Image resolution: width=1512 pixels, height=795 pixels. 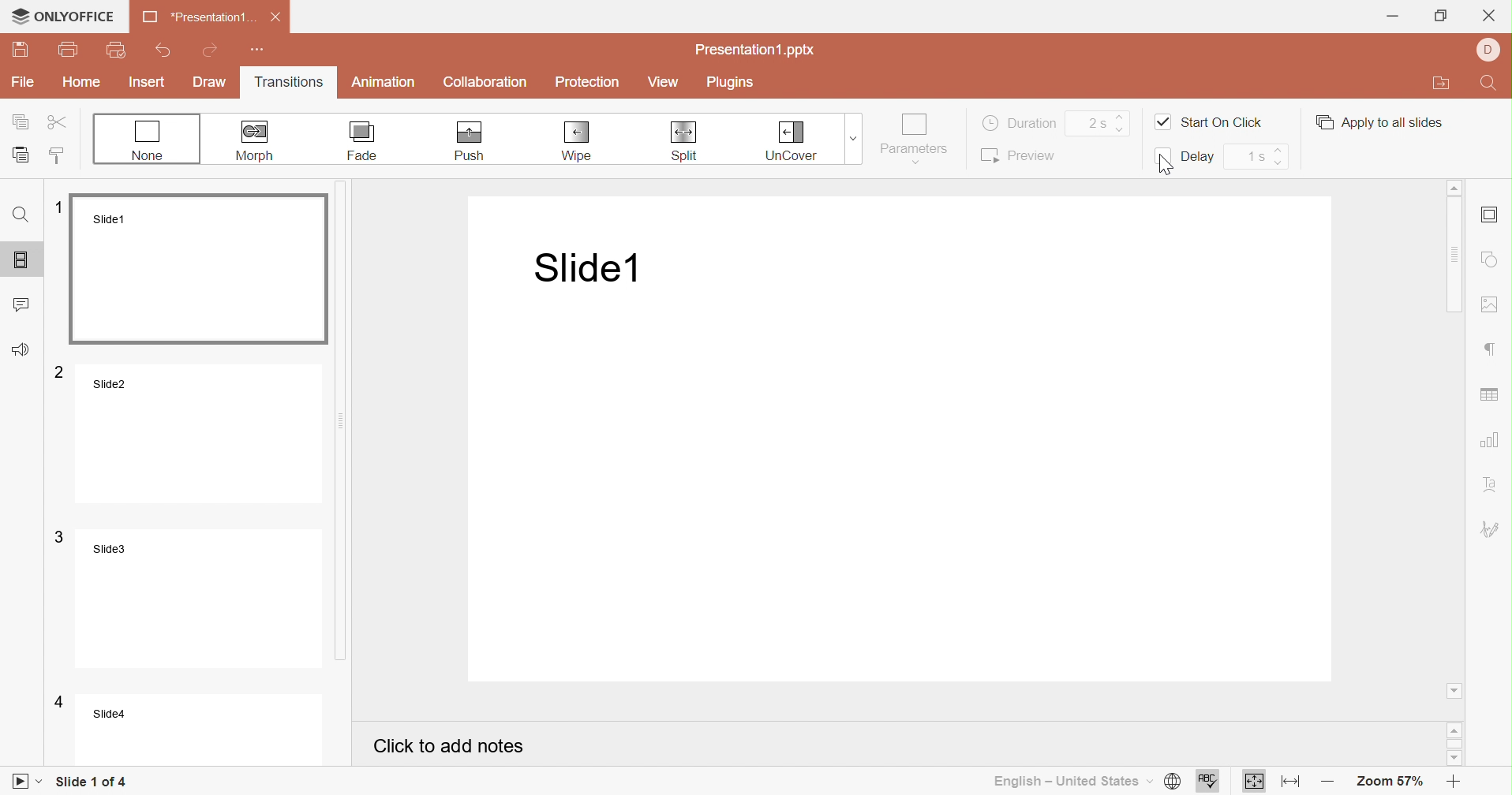 I want to click on 2s, so click(x=1106, y=121).